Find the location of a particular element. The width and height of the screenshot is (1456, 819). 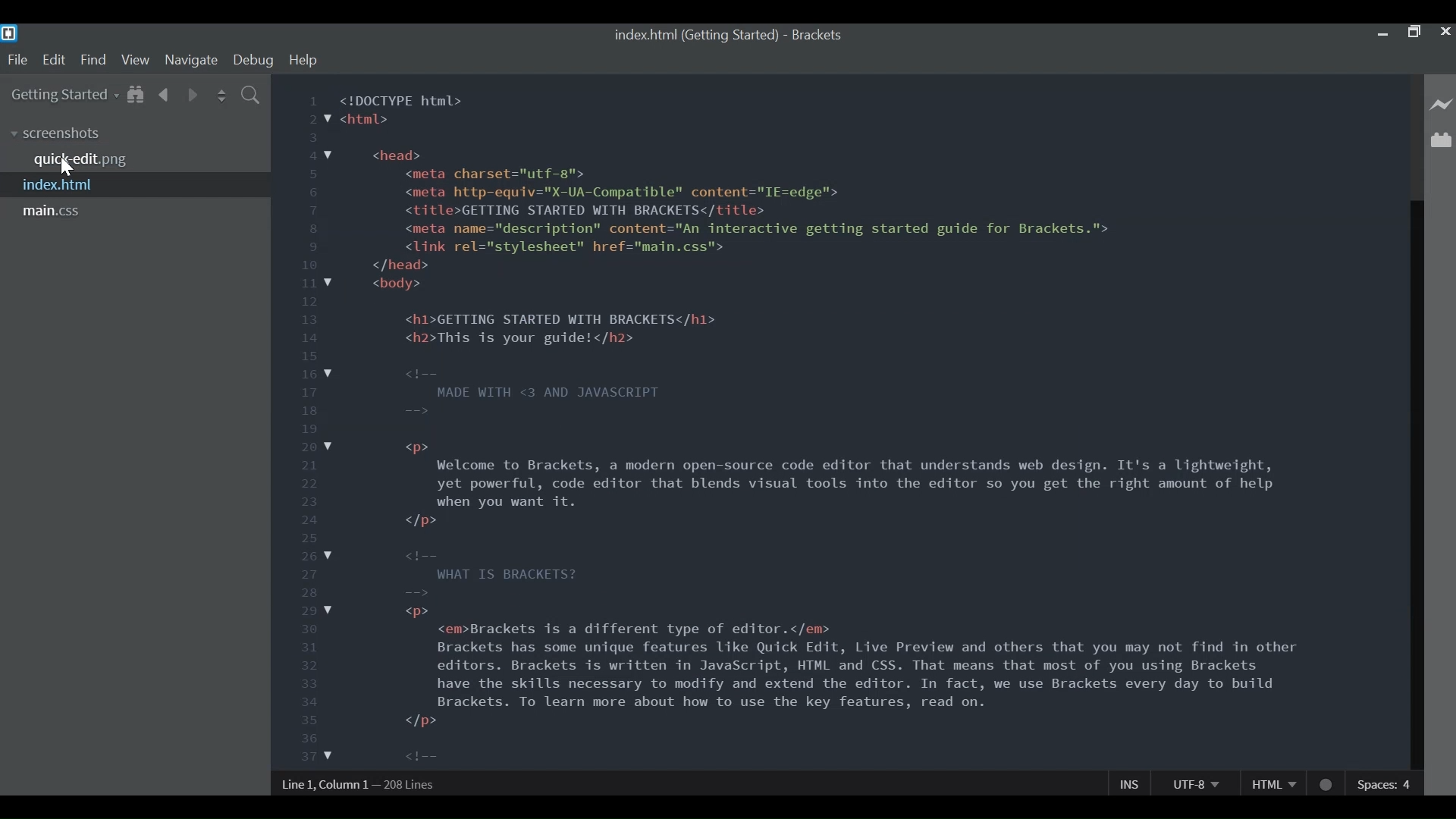

<!DOCTYPE html> <htal> <head> <meta charsets"utf-g"> <meta http-equiv="X-UA-Conpatible" content="IE=edge"> <title>GETTING STARTED WITH BRACKETS</title> <meta name="description” content="An interactive getting started guide for Brackets."> <link rel="stylesheet" href="nain.css"> </head> <body> <h1>GETTING STARTED WITH BRACKETS</hl> <h2>This is your guide!</h2> MADE WITH <3 AND JAVASCRIPT > Welcome to Brackets, a modern open-source code editor that understands web design. It's a lightweight, yet powerful, code editor that blends visual tools into the editor so you get the right amount of help when you want it. od WHAT IS BRACKETS? = w®> <emBrackets is a different type of editor.</em> Brackets has some unique features Like Quick Edit, Live Preview and others that you may not find in other editors. Brackets is written in JavaScript, HTML and CSS. That means that most of you using Brackets have the skills necessary to modify and extend the editor. In fact, we use Brackets every day to build Brackets. To learn more about how to use the key features, read on. </p> GET STARTED WITH YOUR OWN FILES = <h3>Projects in Bracketsc/h3> w®> is located at coordinates (861, 426).